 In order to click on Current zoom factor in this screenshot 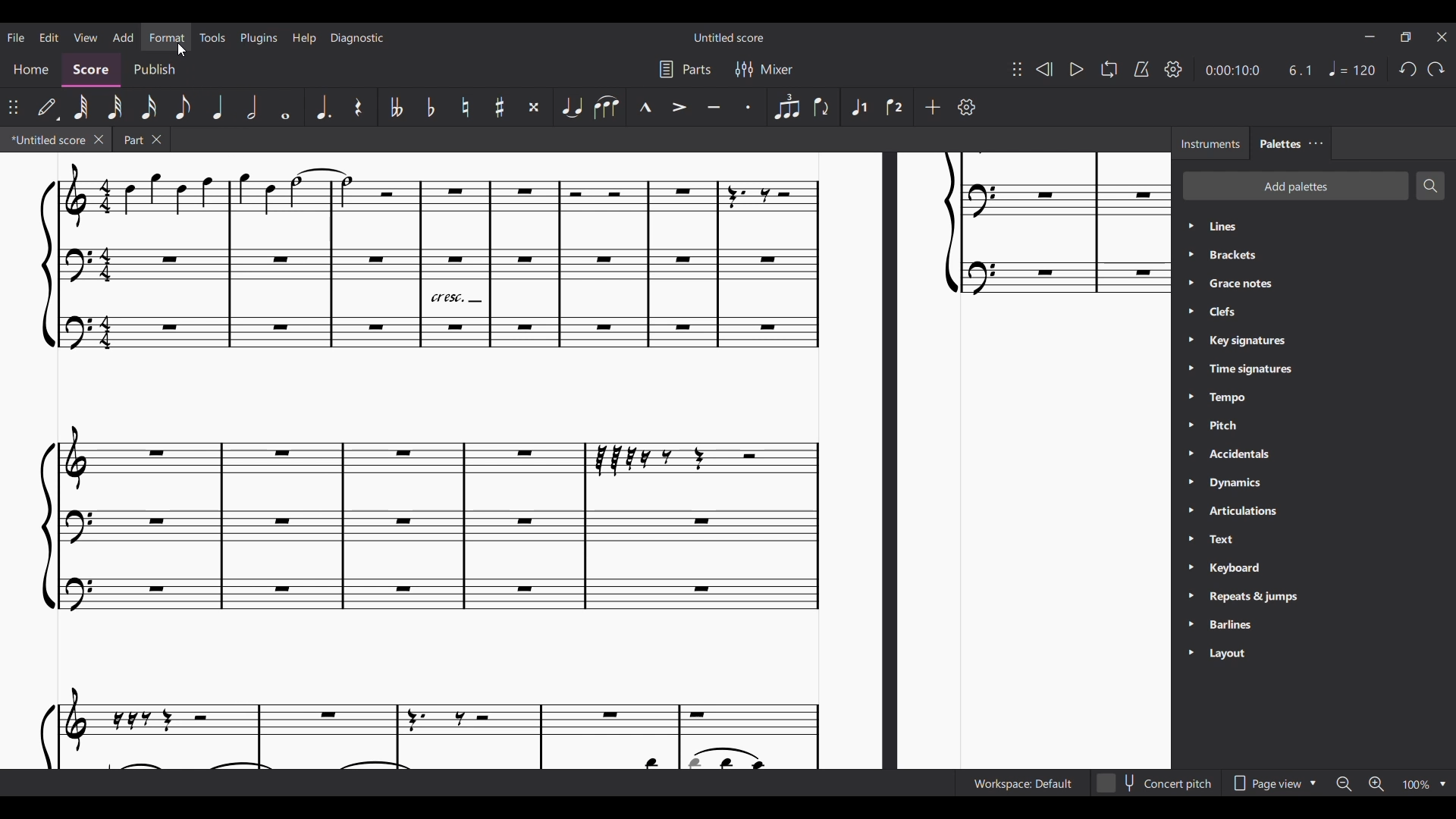, I will do `click(1417, 785)`.